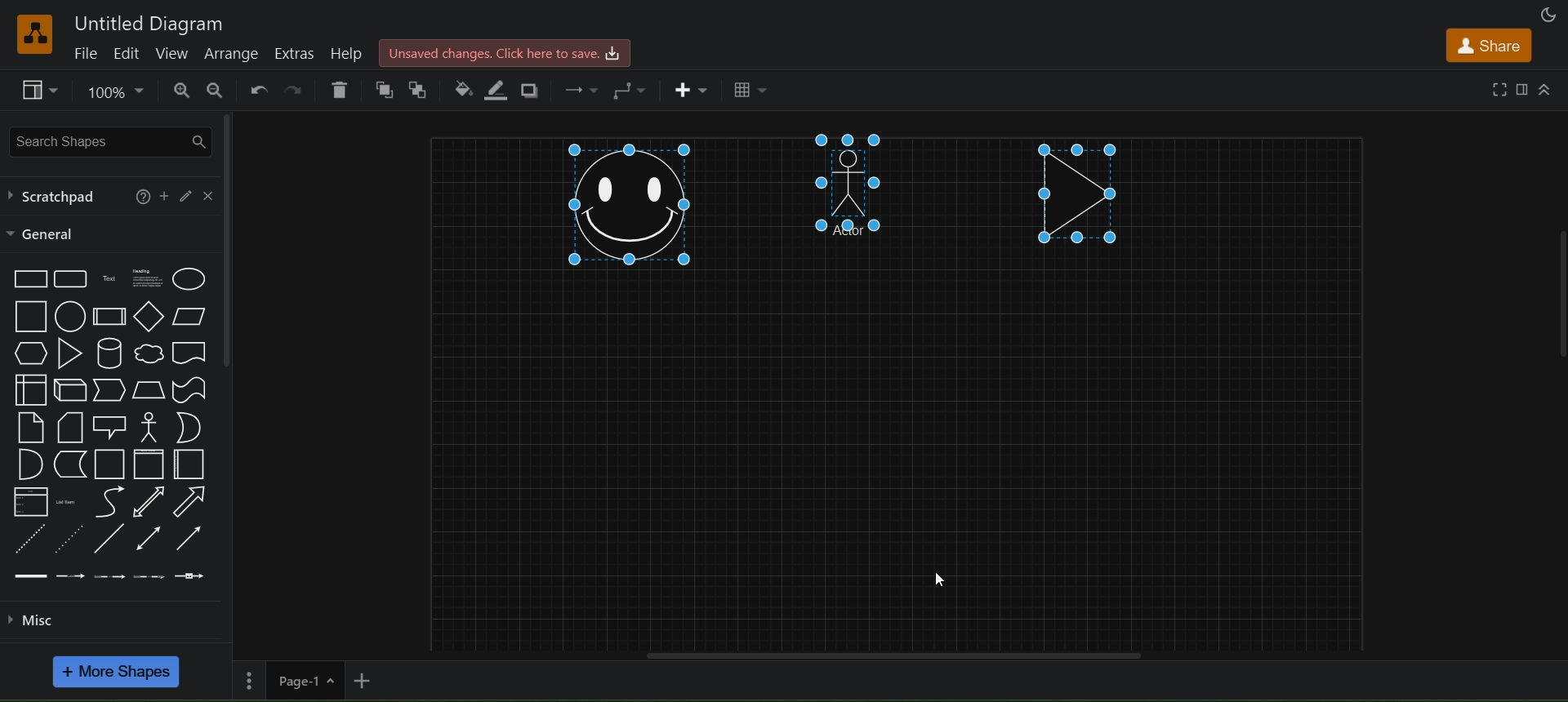  Describe the element at coordinates (171, 52) in the screenshot. I see `view` at that location.